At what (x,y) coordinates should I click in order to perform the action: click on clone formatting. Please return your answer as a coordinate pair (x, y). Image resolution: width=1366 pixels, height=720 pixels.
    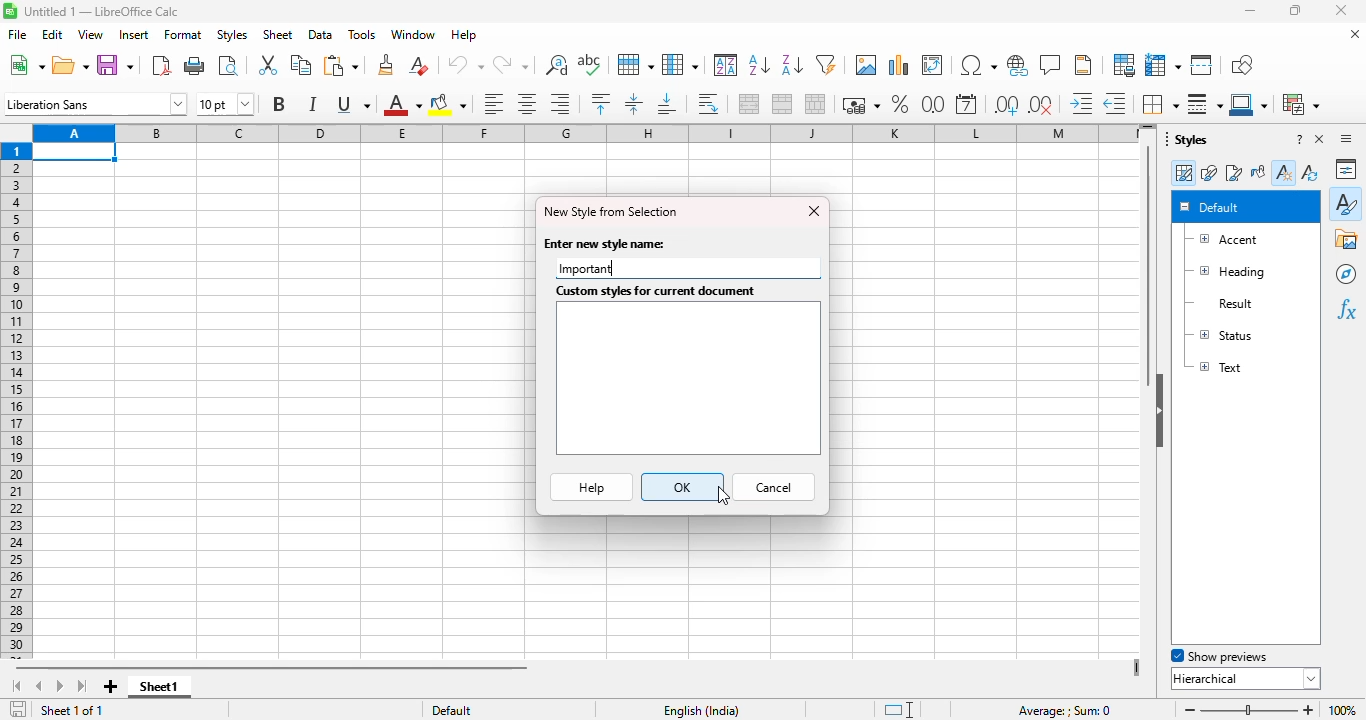
    Looking at the image, I should click on (386, 65).